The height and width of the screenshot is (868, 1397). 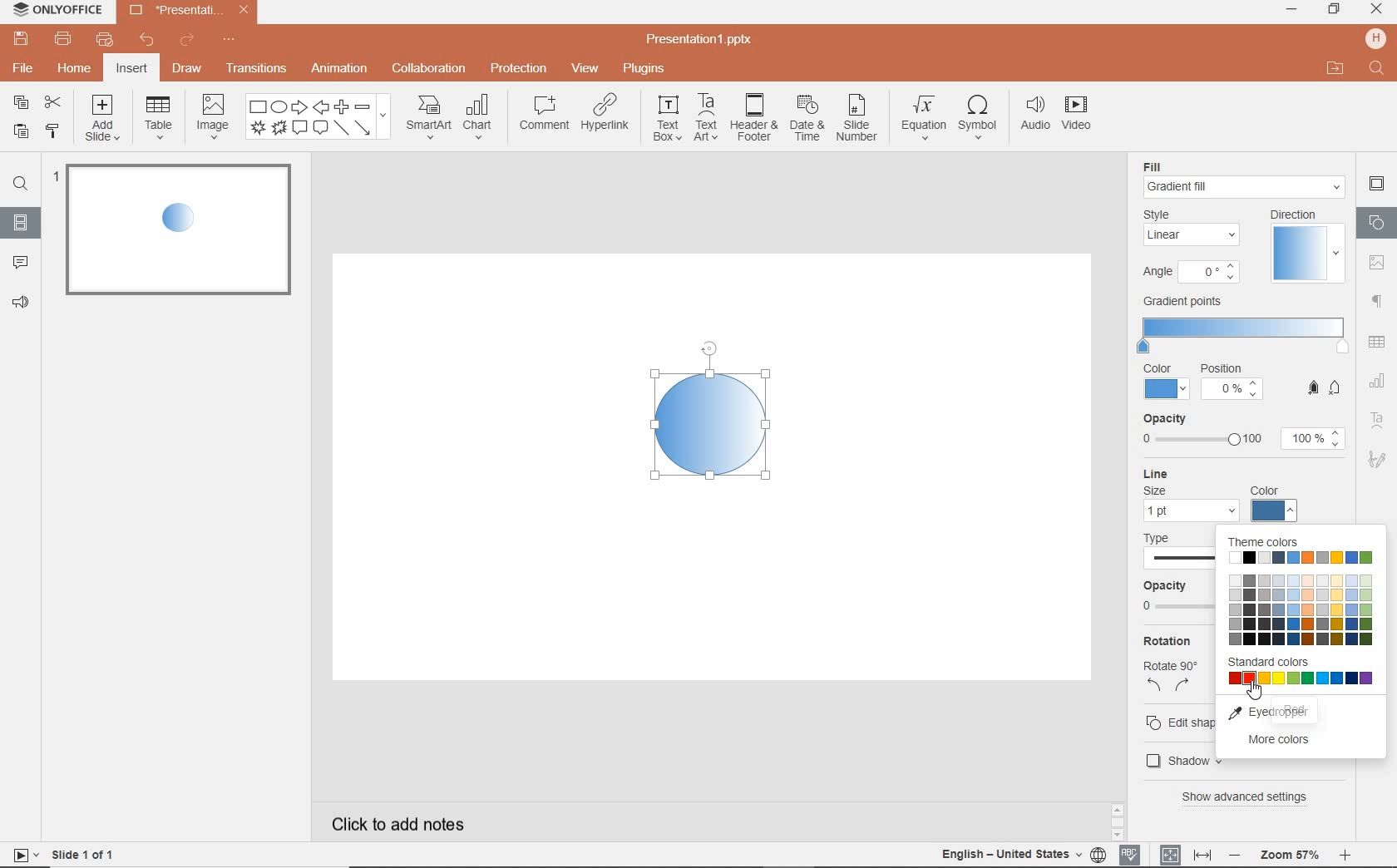 What do you see at coordinates (104, 119) in the screenshot?
I see `add slide` at bounding box center [104, 119].